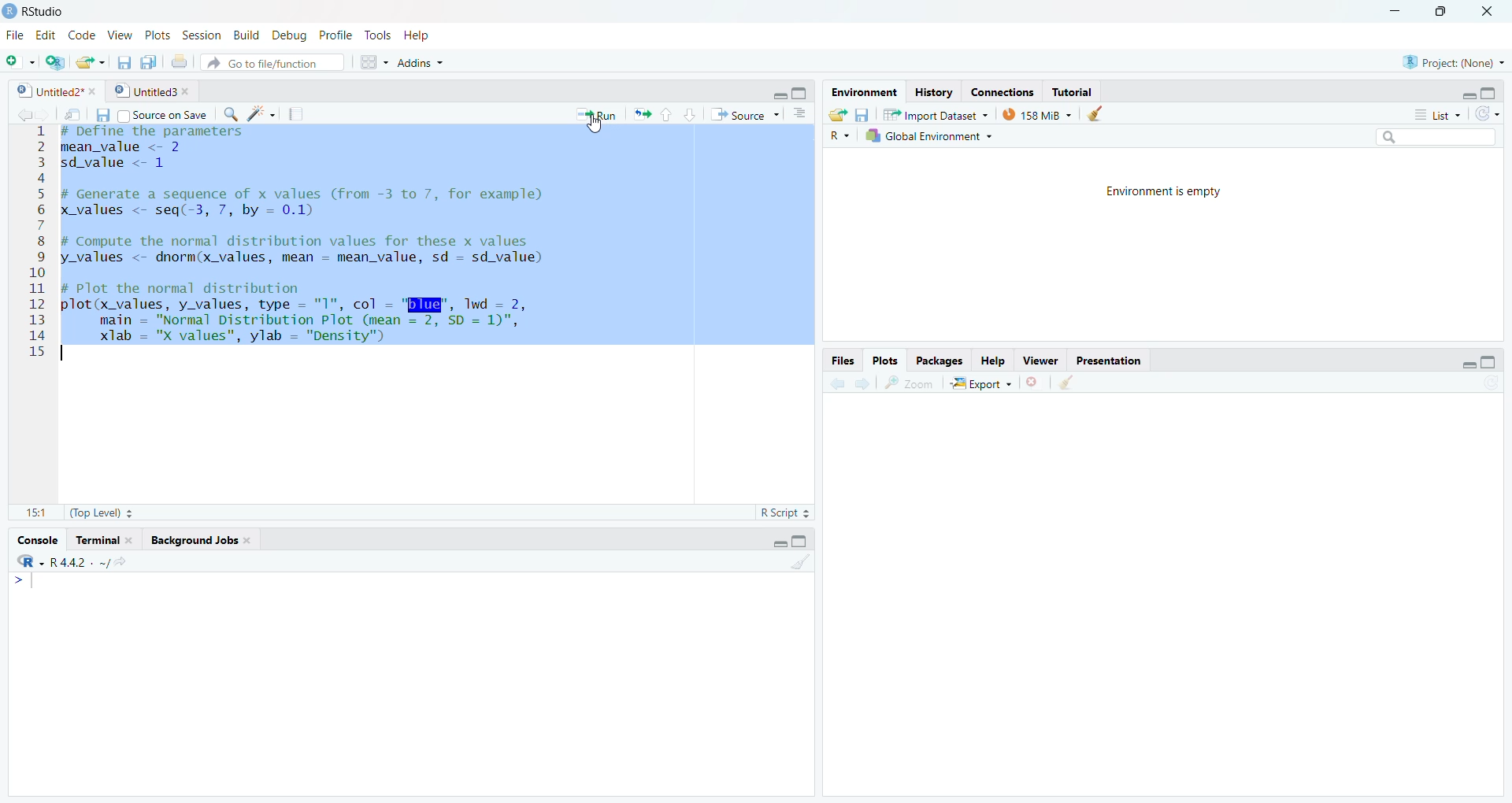  Describe the element at coordinates (840, 134) in the screenshot. I see `R~` at that location.